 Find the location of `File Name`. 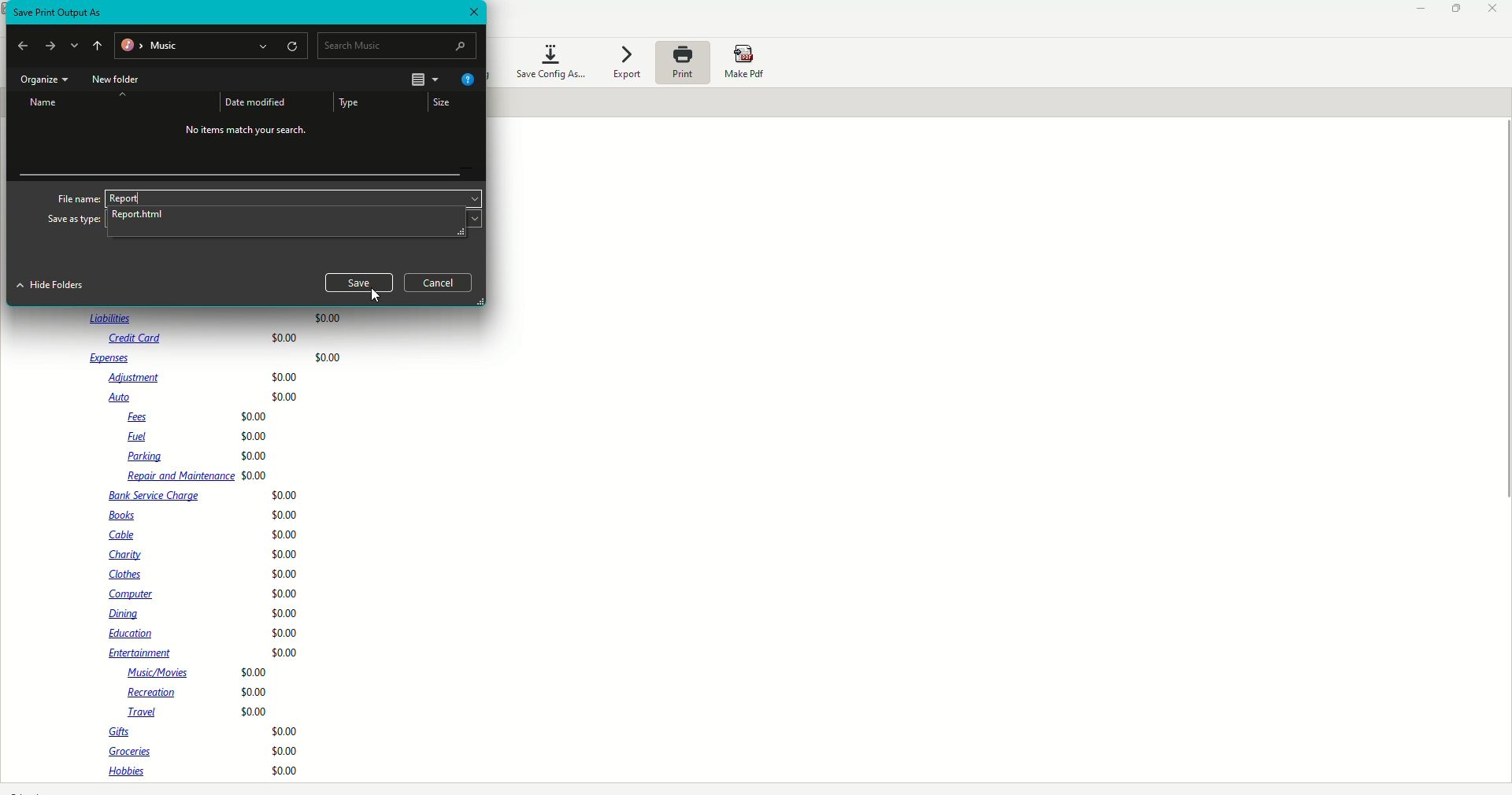

File Name is located at coordinates (76, 197).